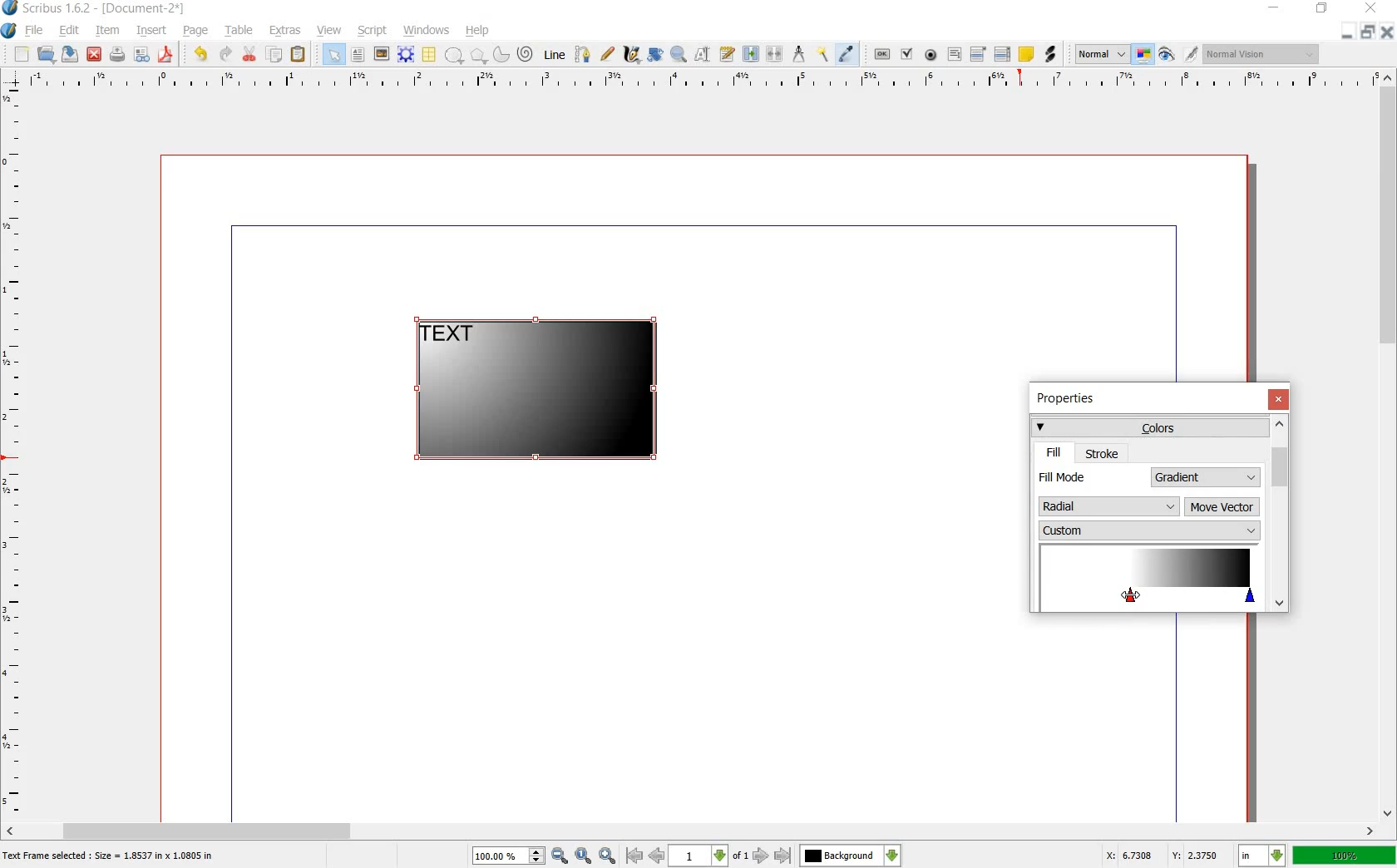 The width and height of the screenshot is (1397, 868). Describe the element at coordinates (1348, 33) in the screenshot. I see `minimize` at that location.